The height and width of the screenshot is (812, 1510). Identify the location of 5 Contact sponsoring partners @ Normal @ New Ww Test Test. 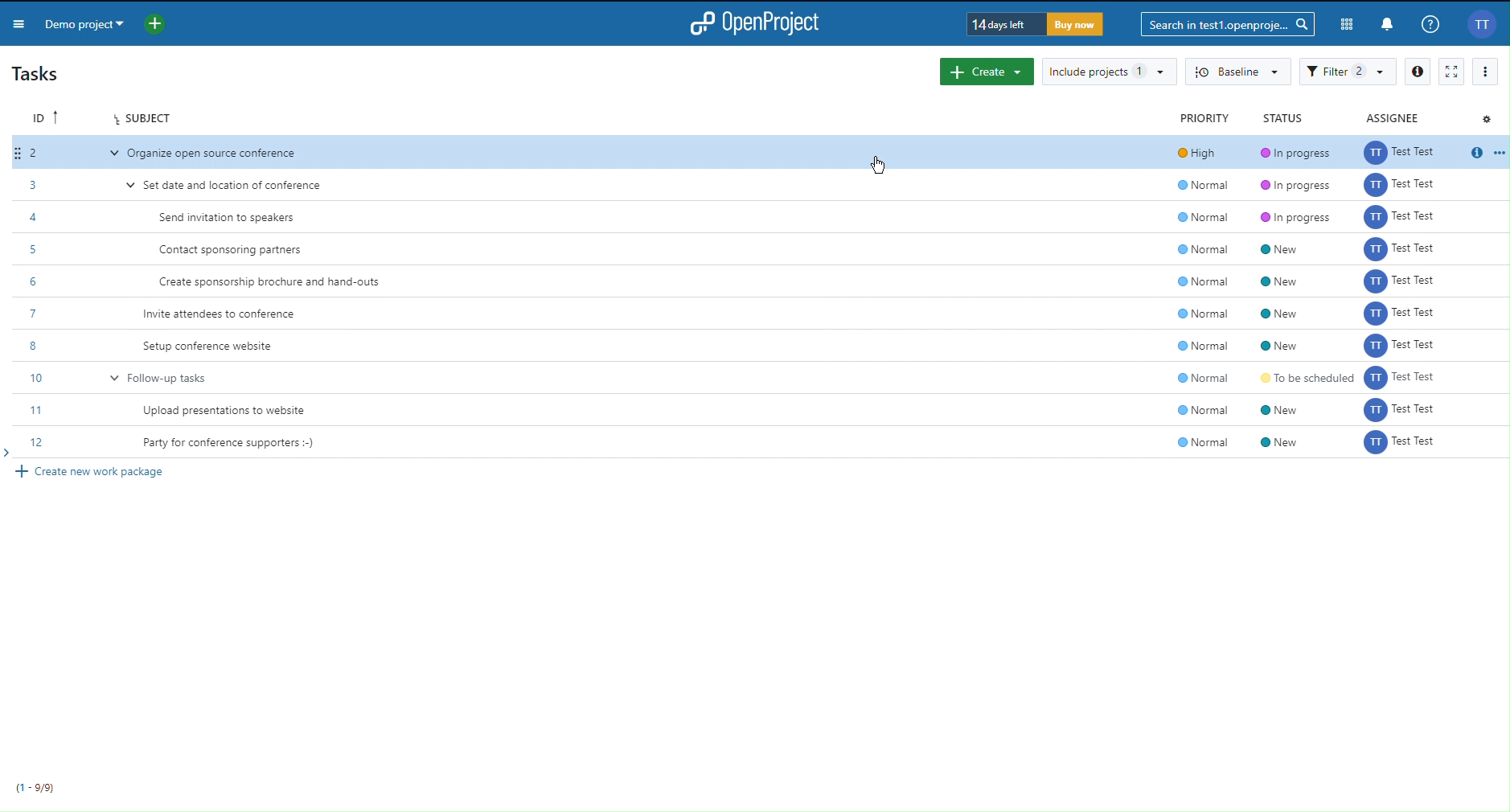
(760, 251).